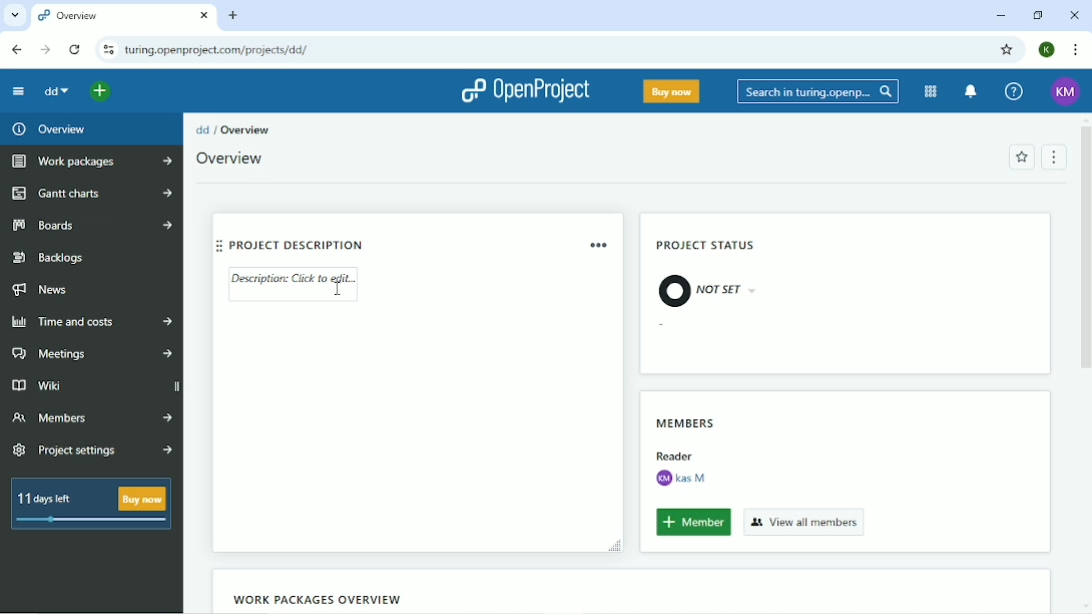 This screenshot has height=614, width=1092. Describe the element at coordinates (90, 194) in the screenshot. I see `Gantt charts` at that location.